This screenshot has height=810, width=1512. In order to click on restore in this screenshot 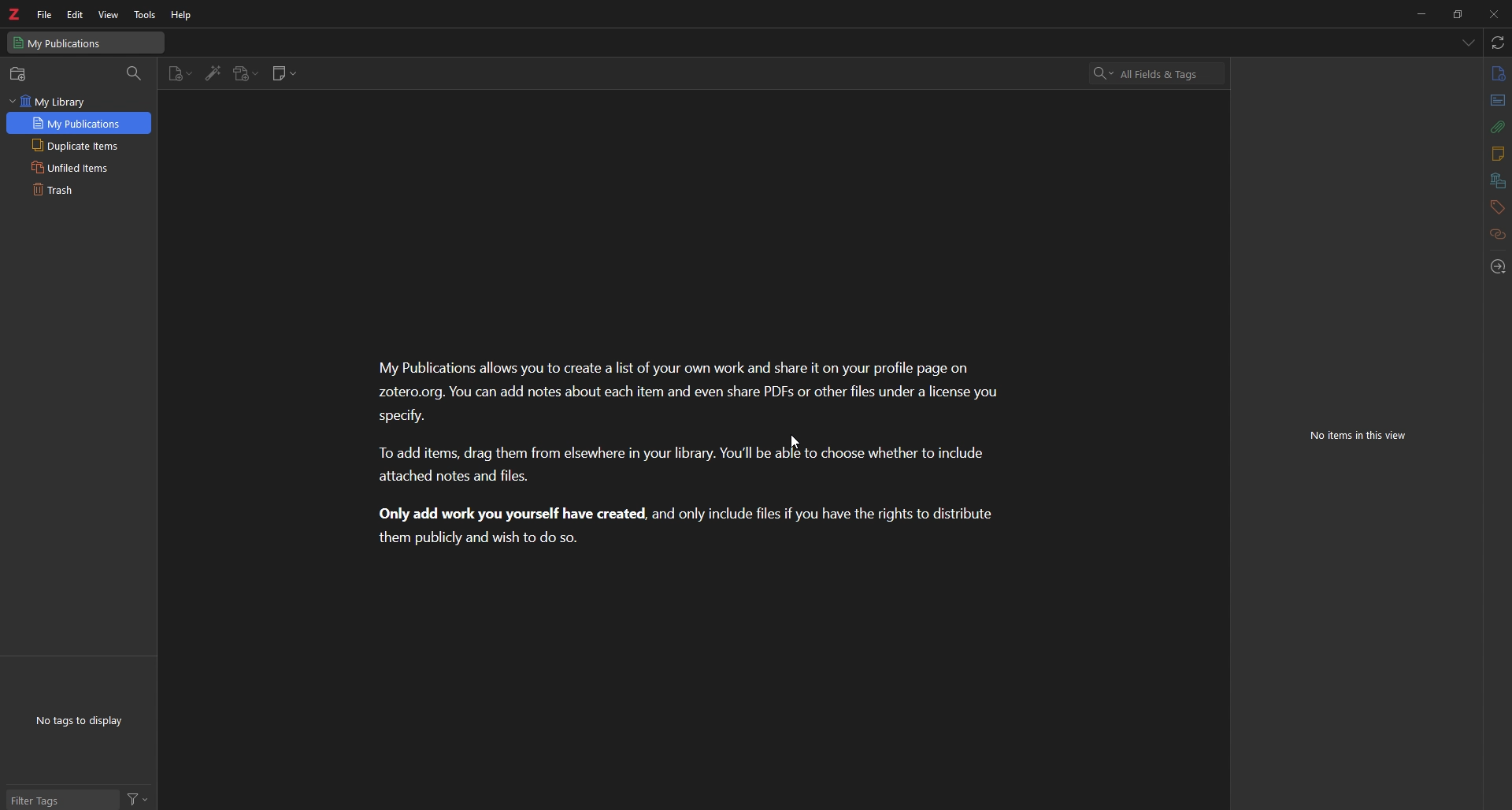, I will do `click(1460, 14)`.